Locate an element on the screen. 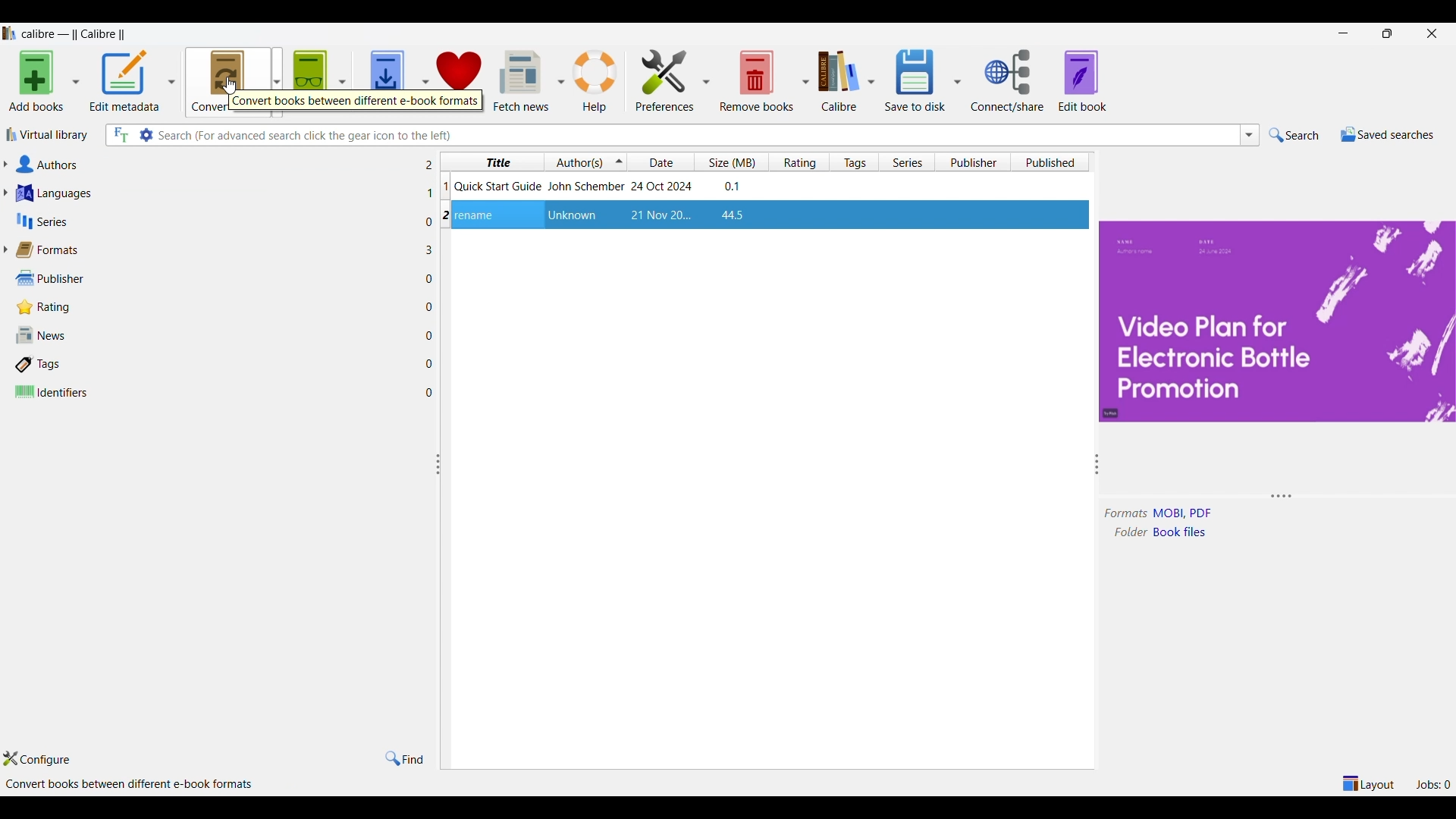 This screenshot has height=819, width=1456. Calibre is located at coordinates (841, 81).